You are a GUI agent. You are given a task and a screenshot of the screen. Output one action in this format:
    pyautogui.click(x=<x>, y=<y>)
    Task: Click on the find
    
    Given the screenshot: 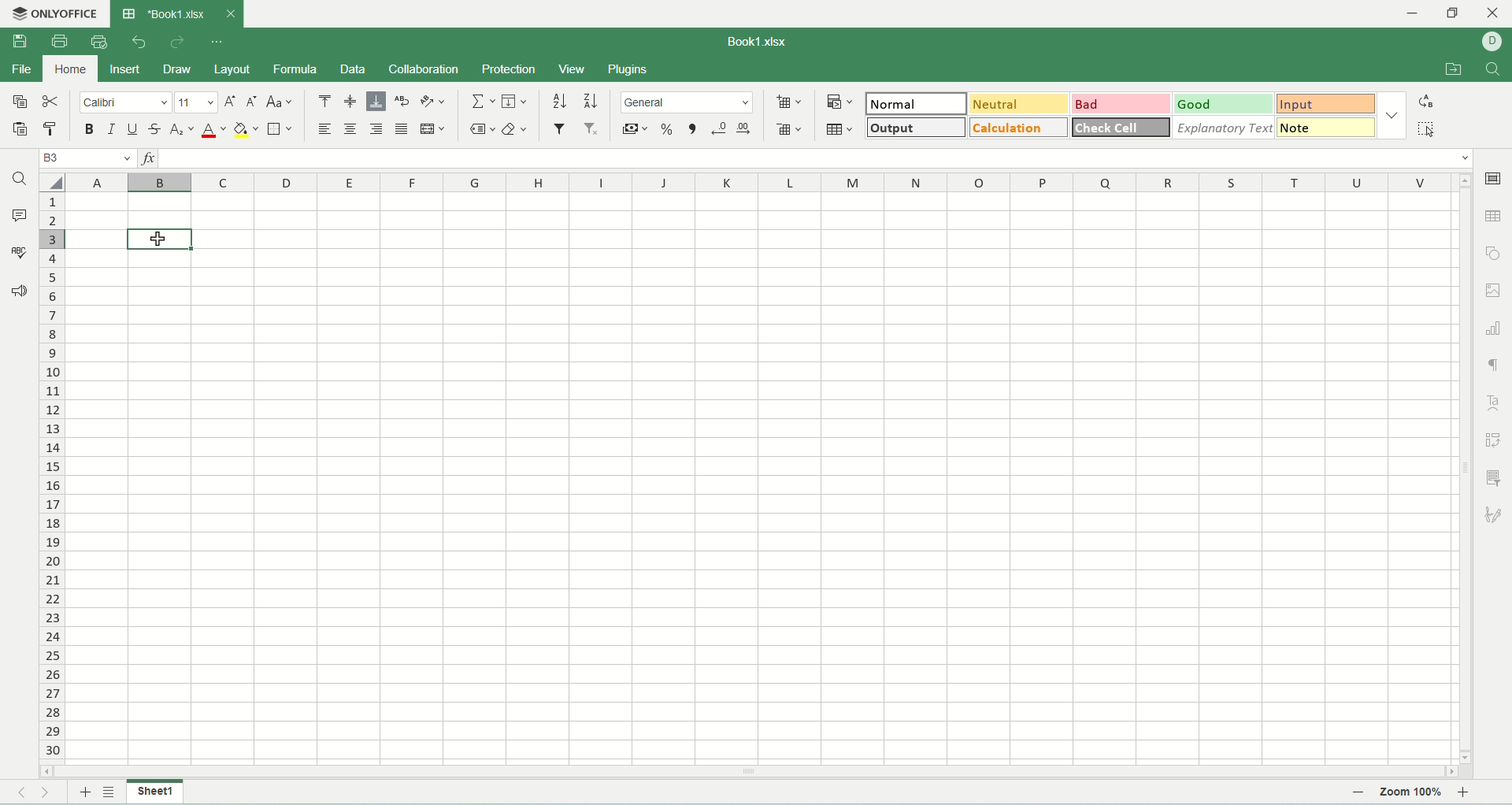 What is the action you would take?
    pyautogui.click(x=18, y=180)
    